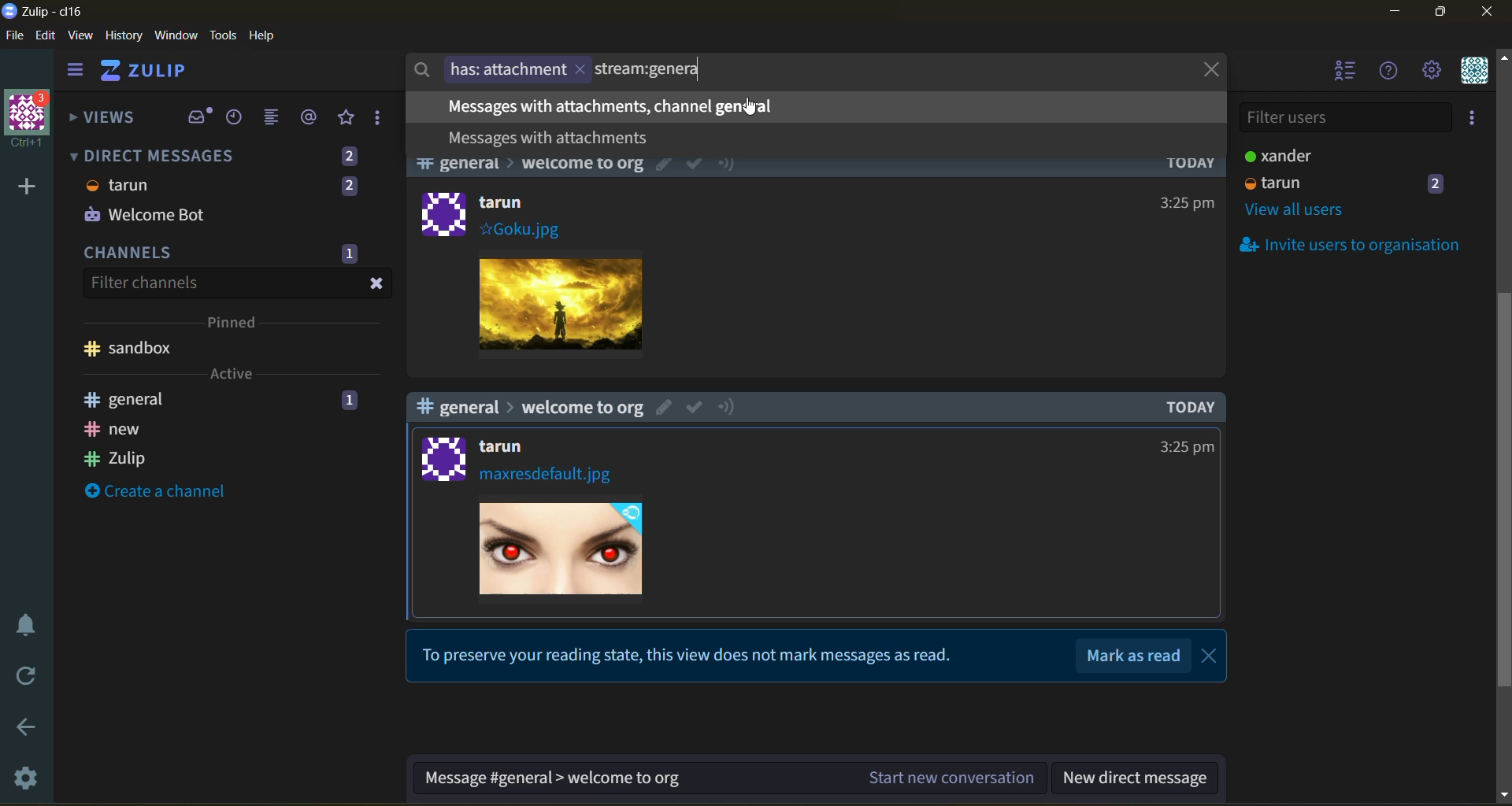 This screenshot has height=806, width=1512. I want to click on mentions, so click(310, 117).